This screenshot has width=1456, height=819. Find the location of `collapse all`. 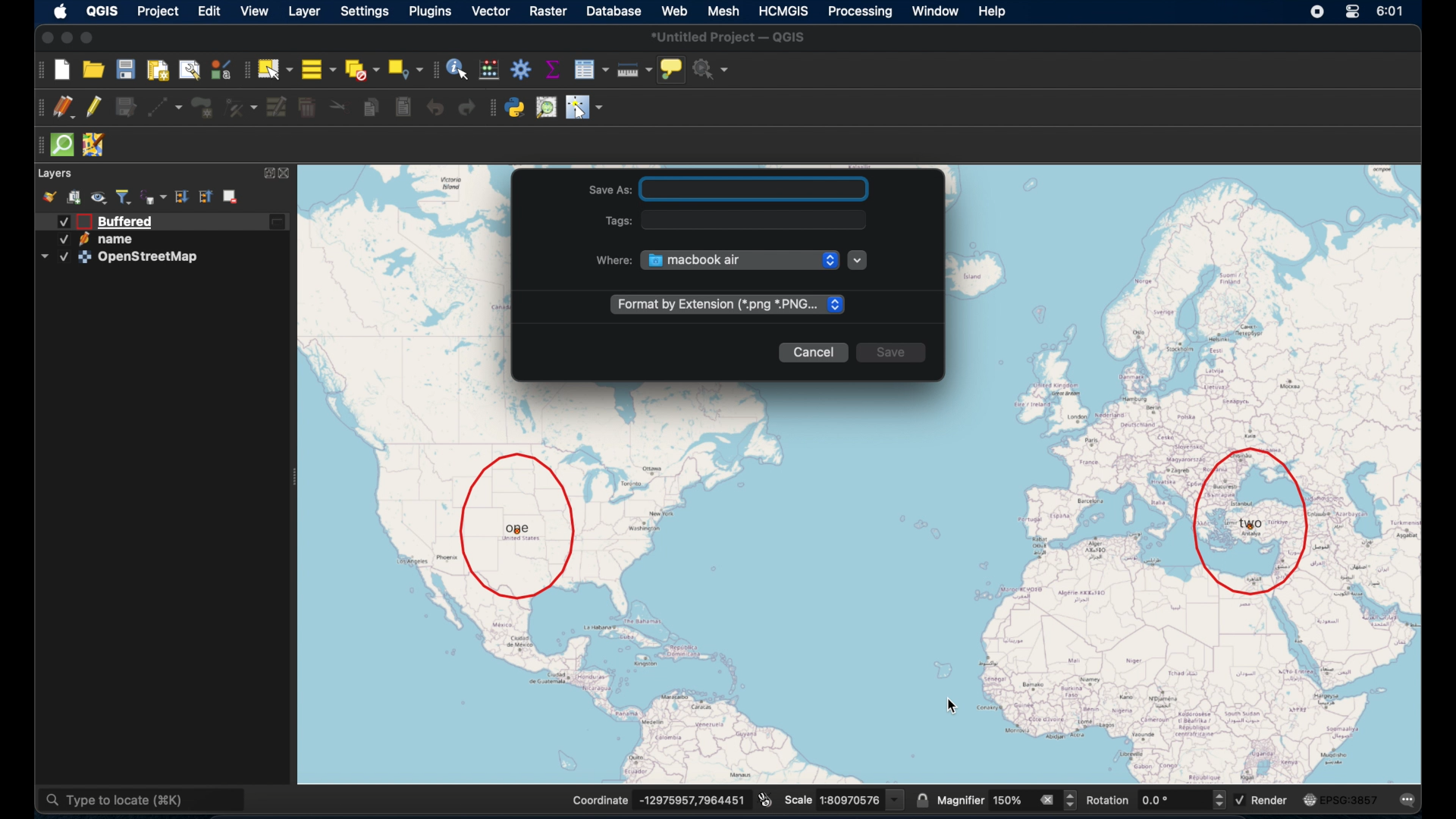

collapse all is located at coordinates (206, 197).